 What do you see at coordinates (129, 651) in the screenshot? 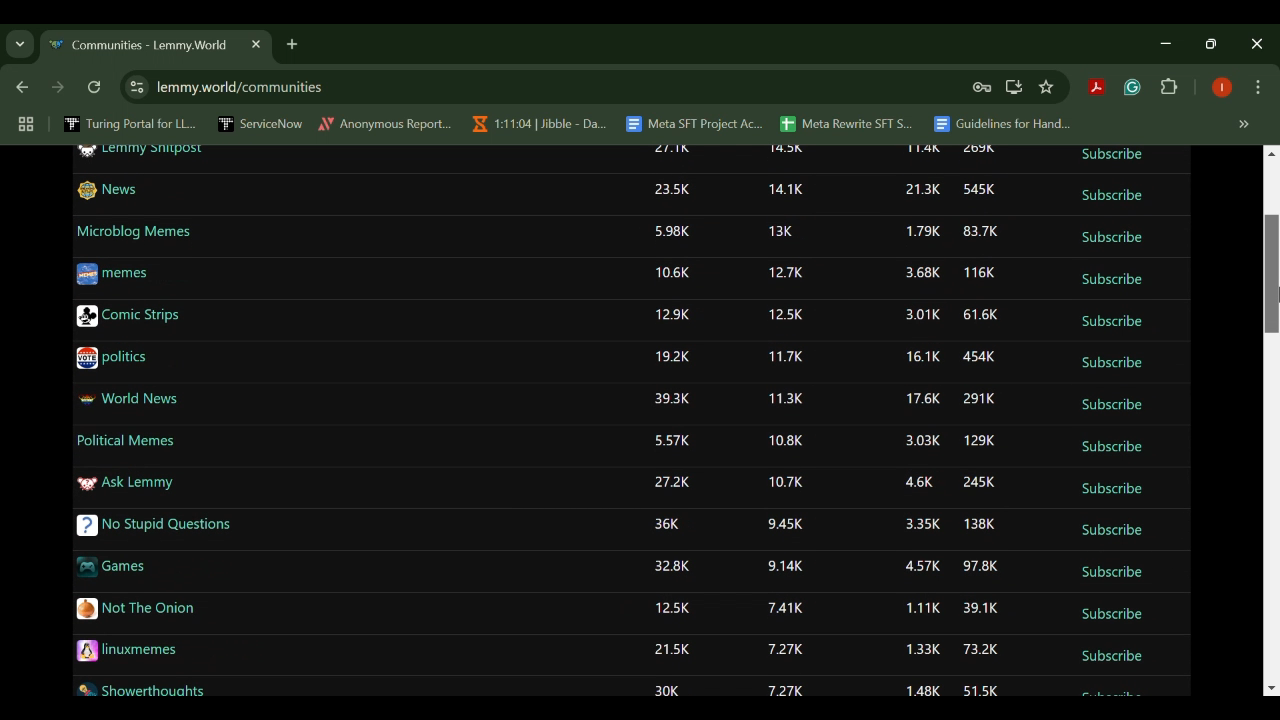
I see `linuxmemes` at bounding box center [129, 651].